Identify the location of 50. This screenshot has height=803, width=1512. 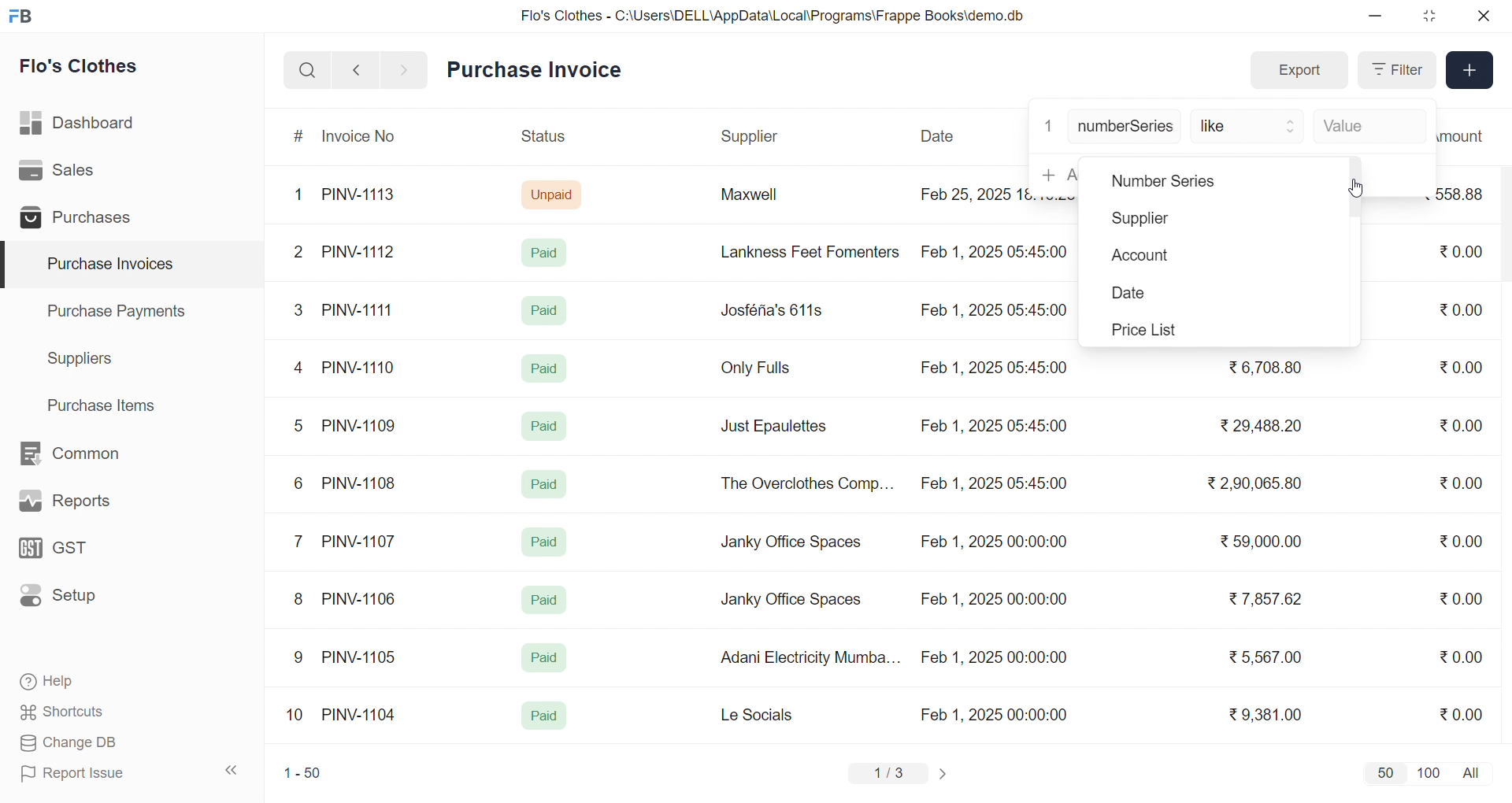
(1384, 772).